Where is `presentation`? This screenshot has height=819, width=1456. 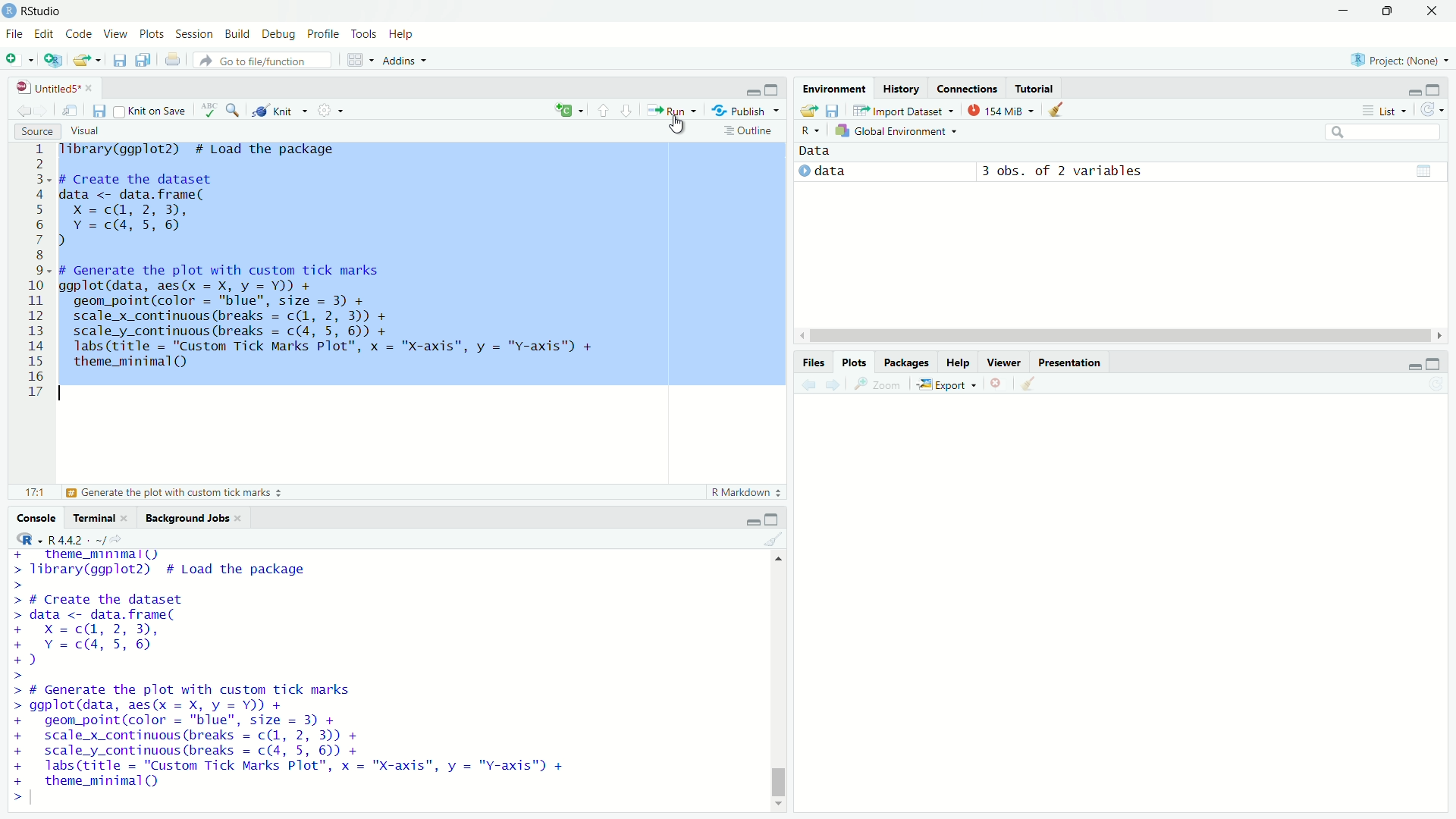
presentation is located at coordinates (1069, 361).